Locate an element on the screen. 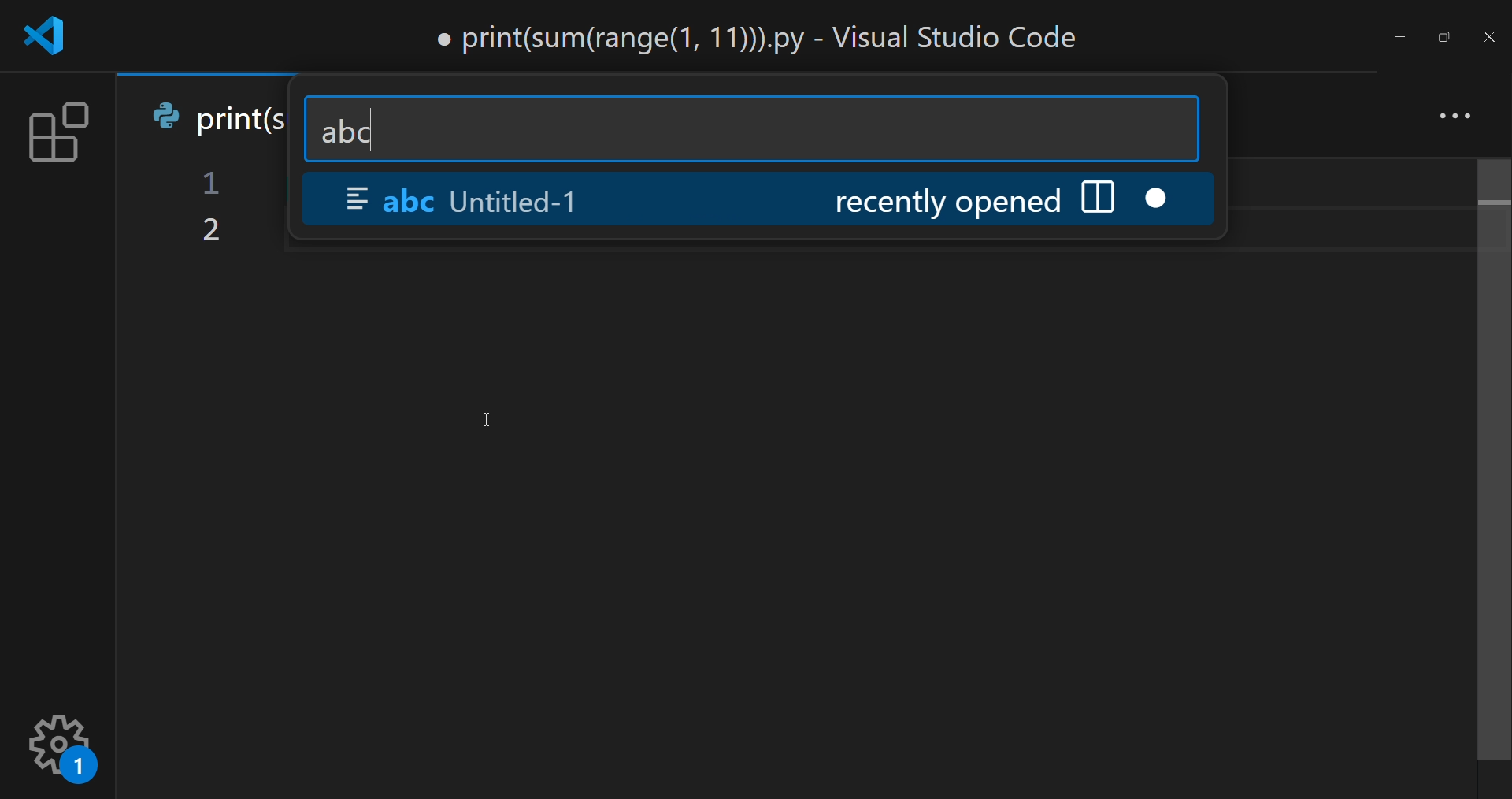 The width and height of the screenshot is (1512, 799). close is located at coordinates (1156, 194).